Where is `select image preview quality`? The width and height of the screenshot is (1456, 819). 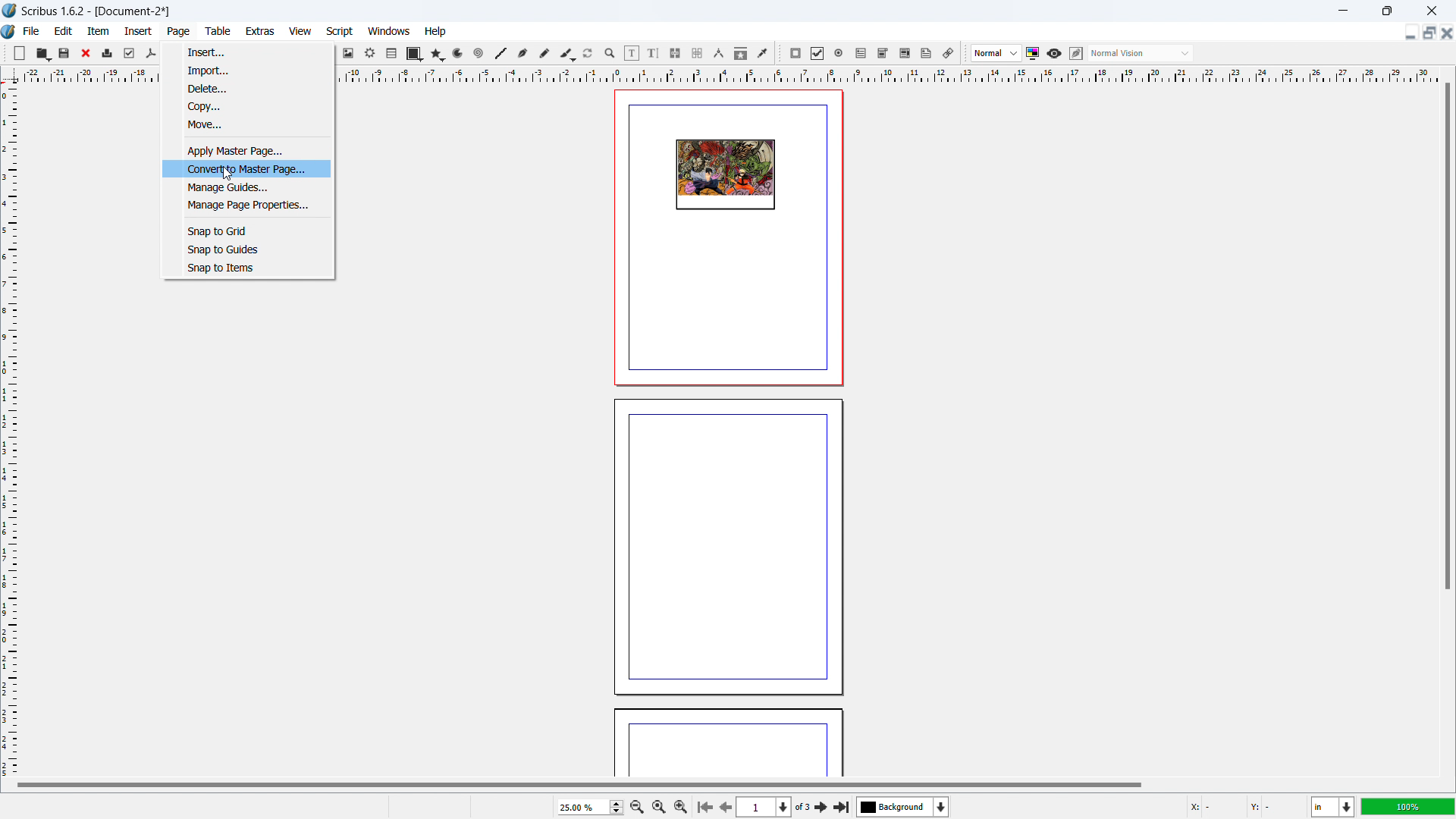
select image preview quality is located at coordinates (996, 53).